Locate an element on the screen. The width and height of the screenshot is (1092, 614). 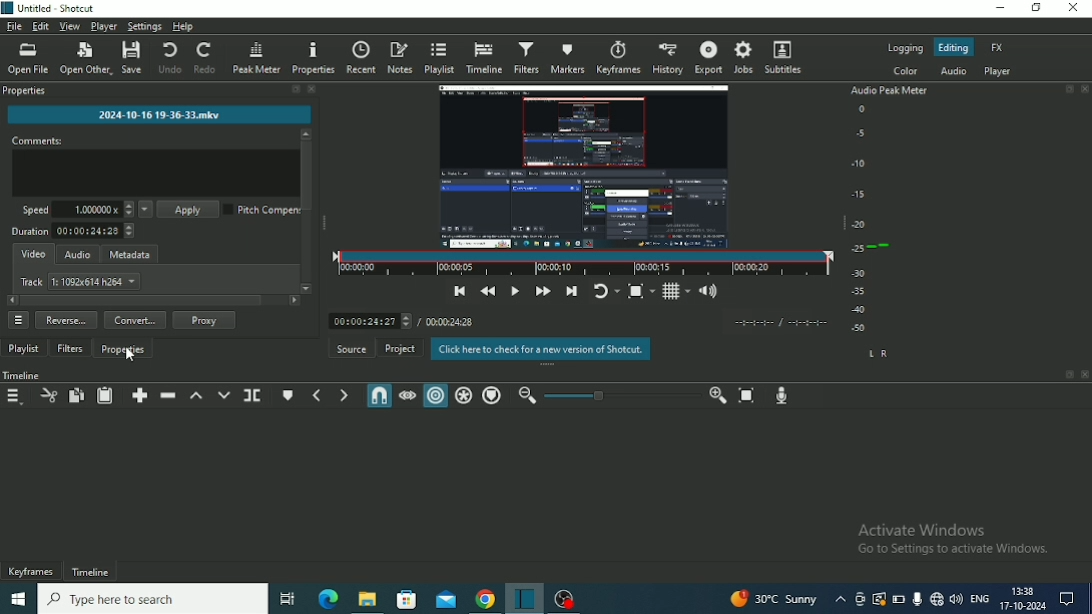
Battery is located at coordinates (898, 599).